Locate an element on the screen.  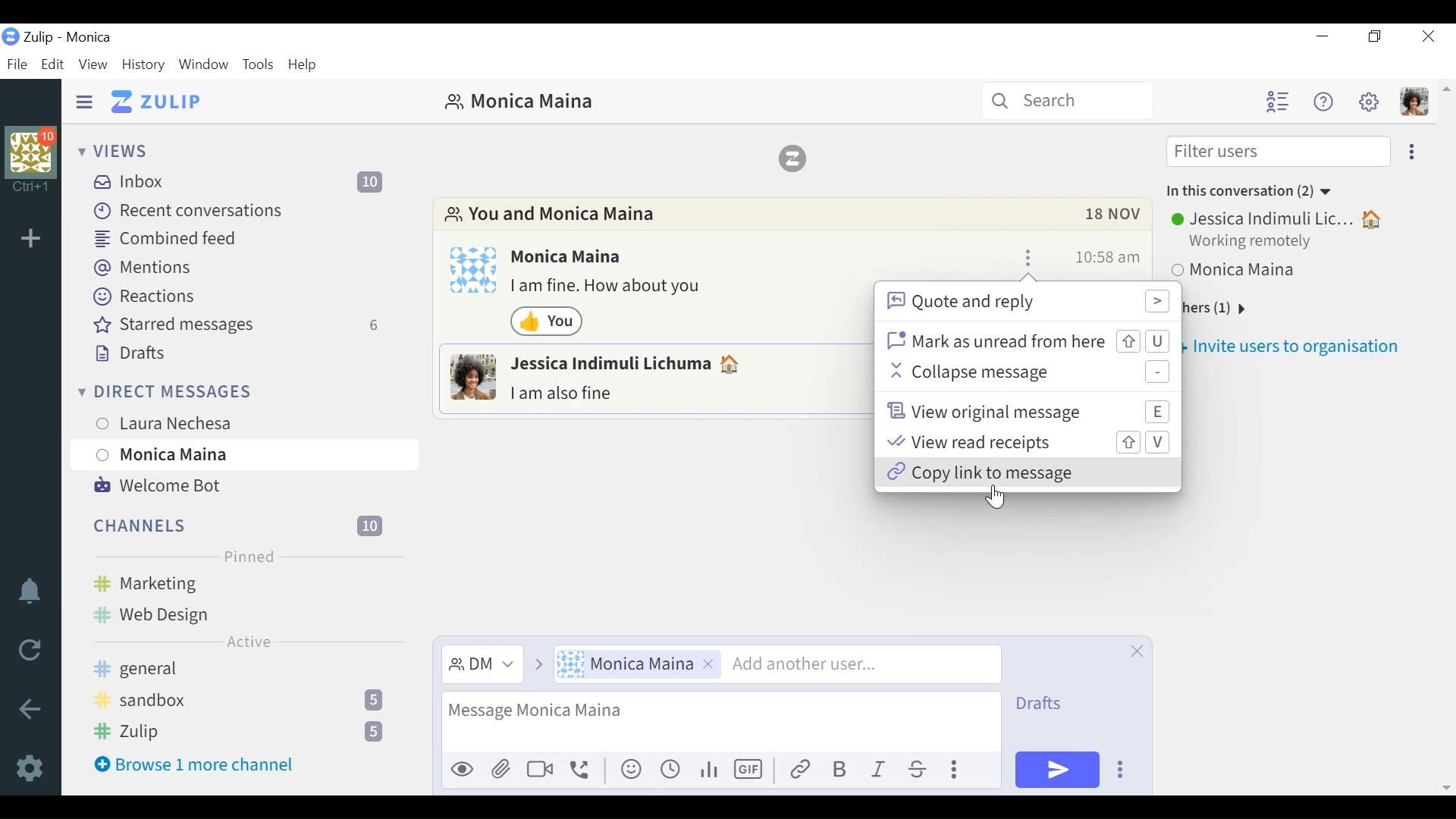
You and Monica Maina is located at coordinates (553, 215).